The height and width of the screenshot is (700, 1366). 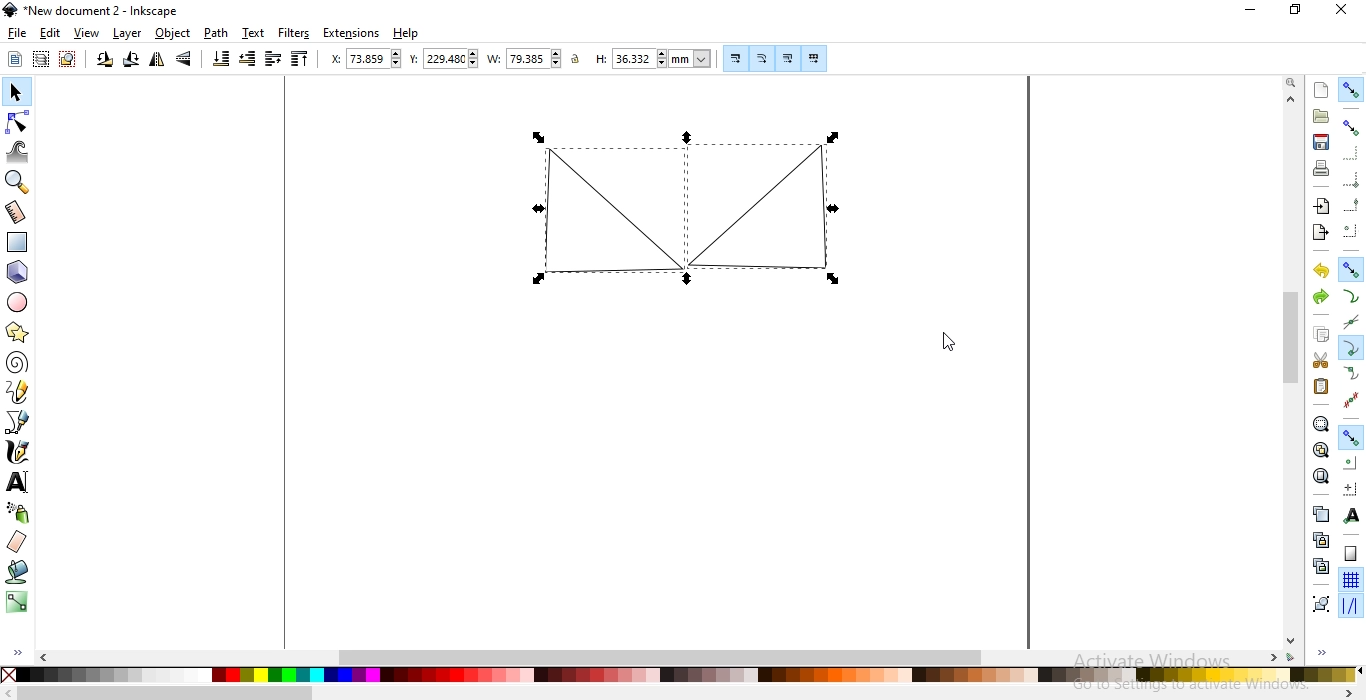 I want to click on close, so click(x=1340, y=14).